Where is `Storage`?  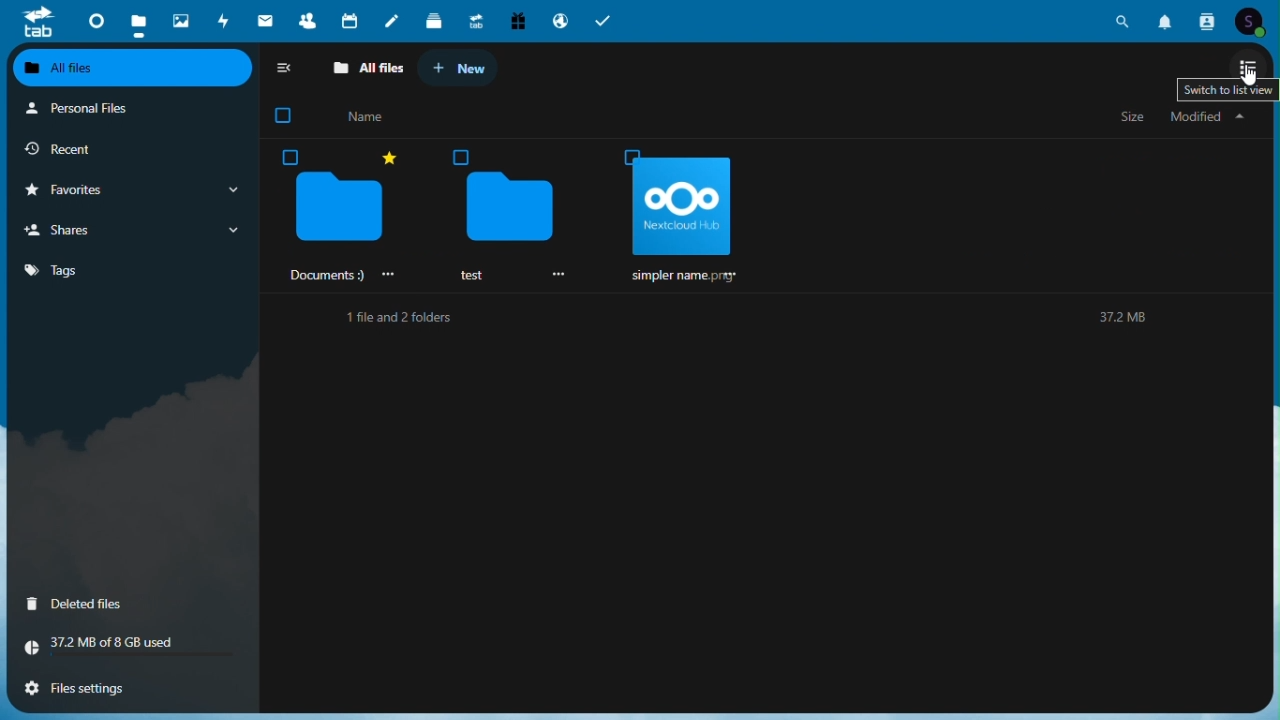
Storage is located at coordinates (129, 647).